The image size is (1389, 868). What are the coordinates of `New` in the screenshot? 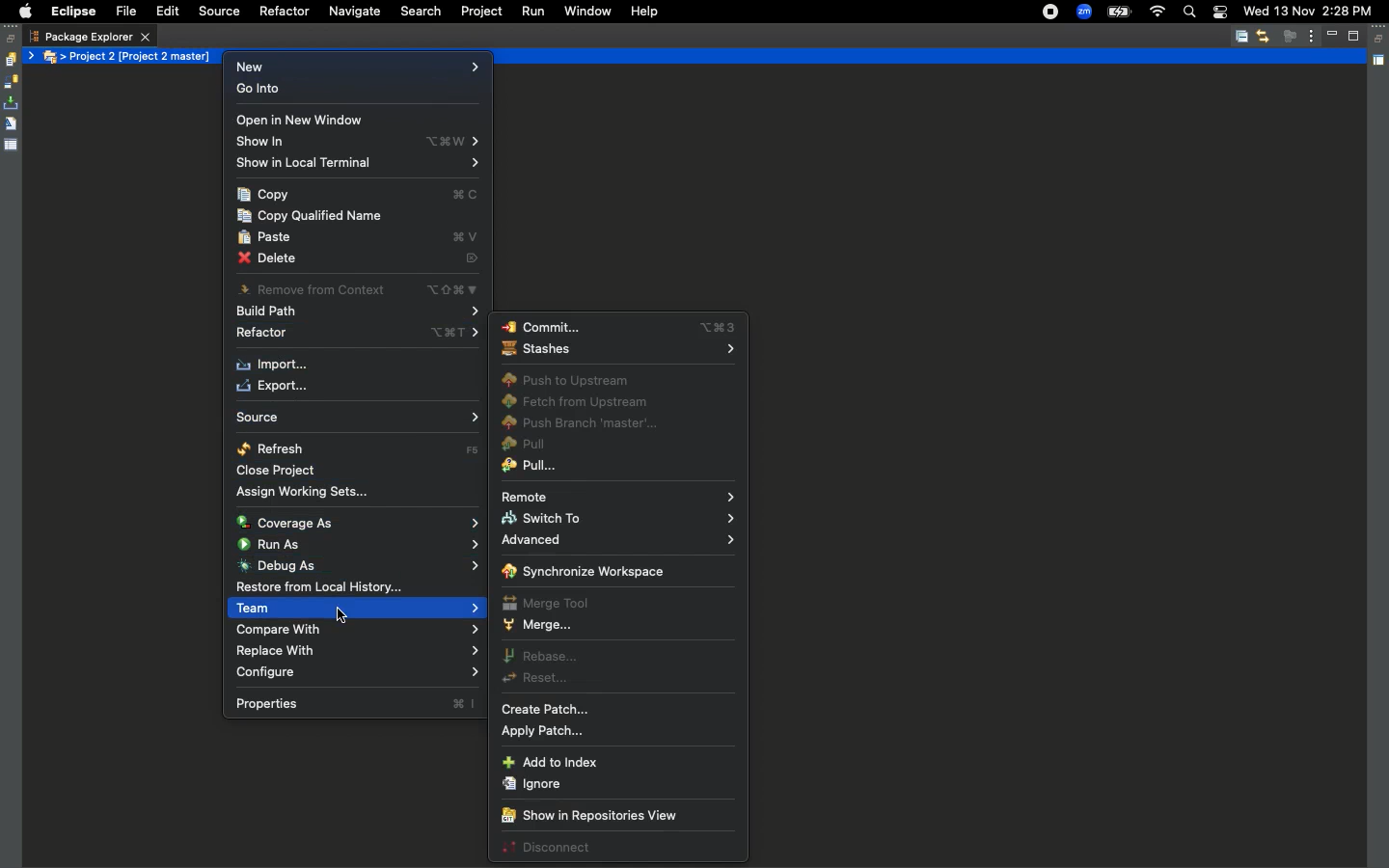 It's located at (357, 68).